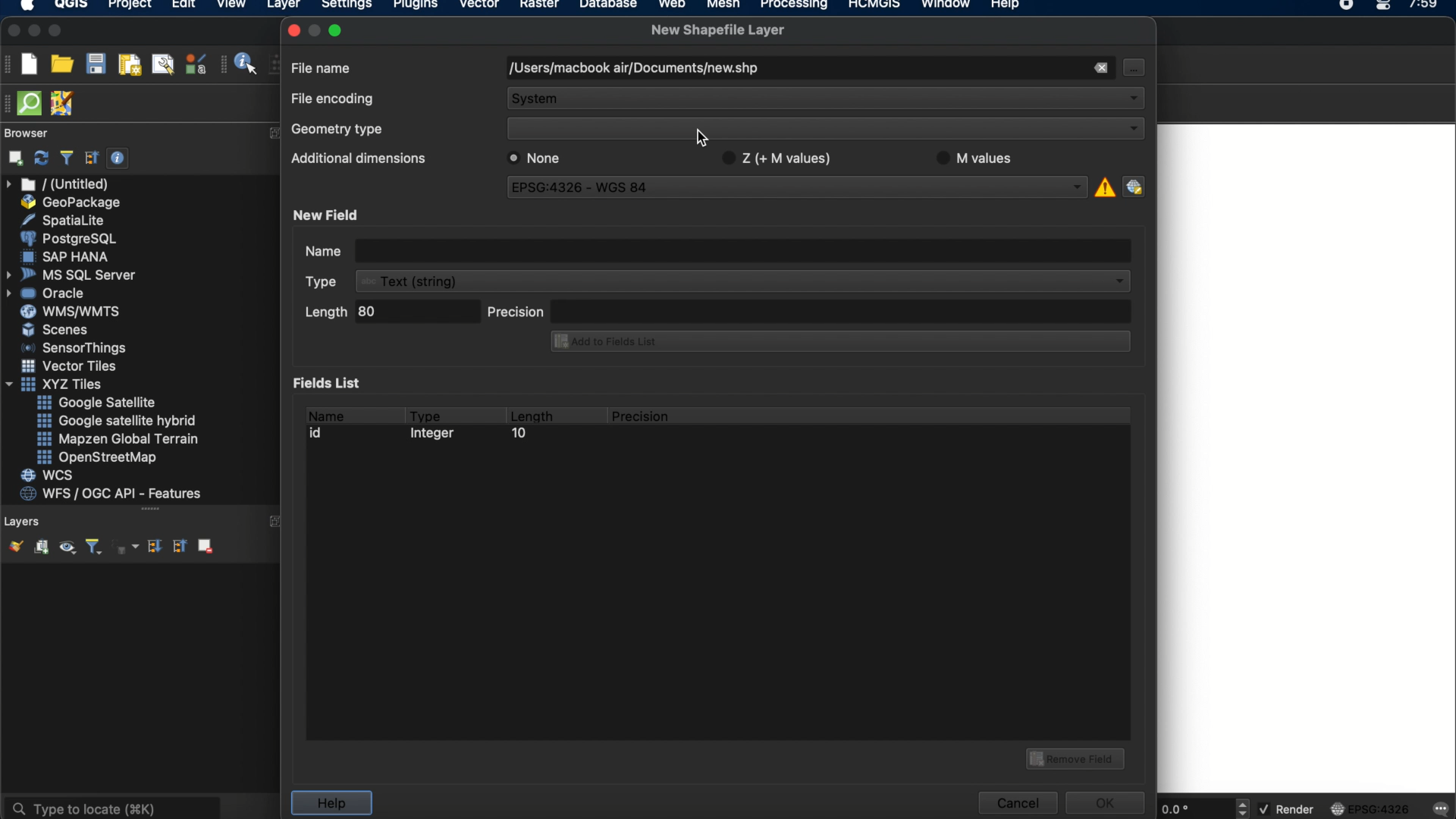  I want to click on openstreetmap, so click(97, 458).